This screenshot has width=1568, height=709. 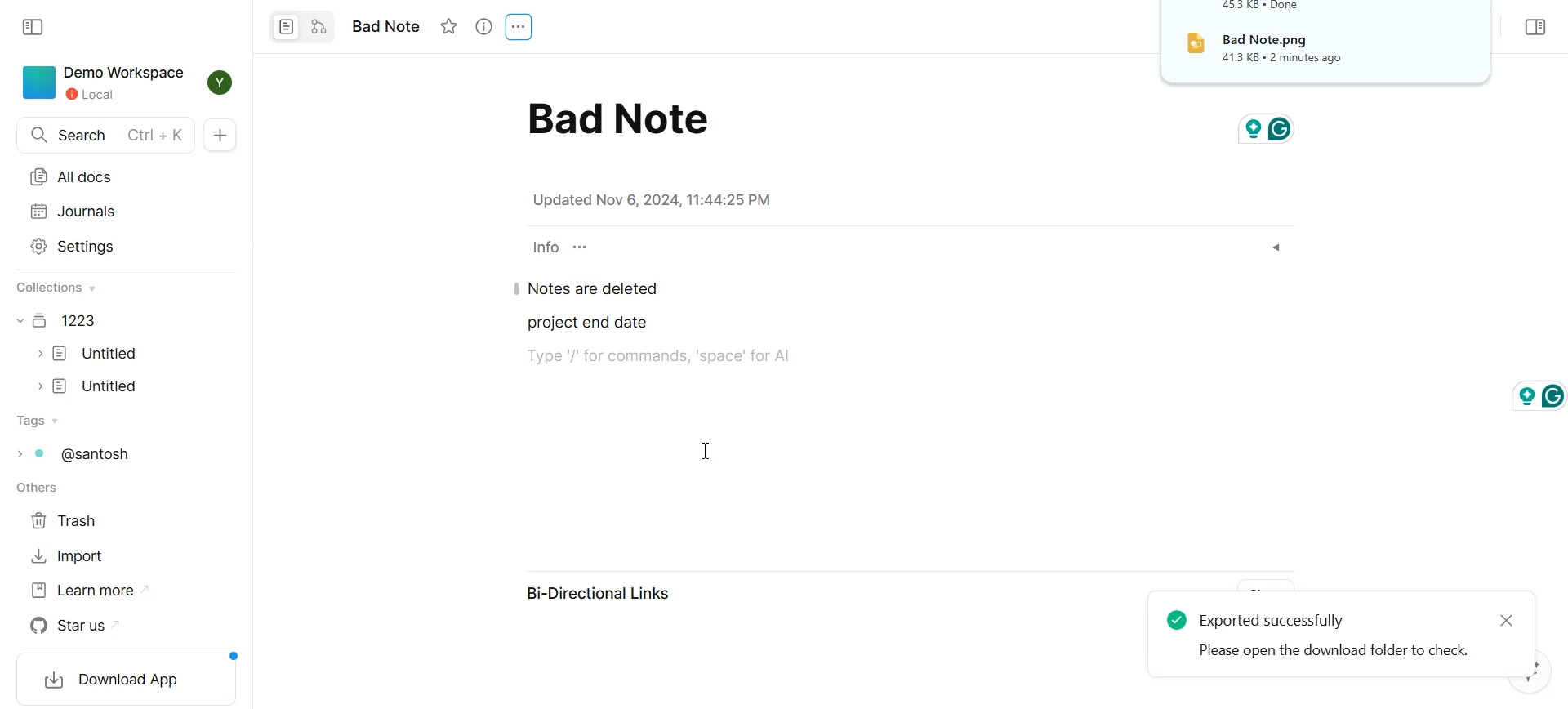 What do you see at coordinates (670, 358) in the screenshot?
I see `text` at bounding box center [670, 358].